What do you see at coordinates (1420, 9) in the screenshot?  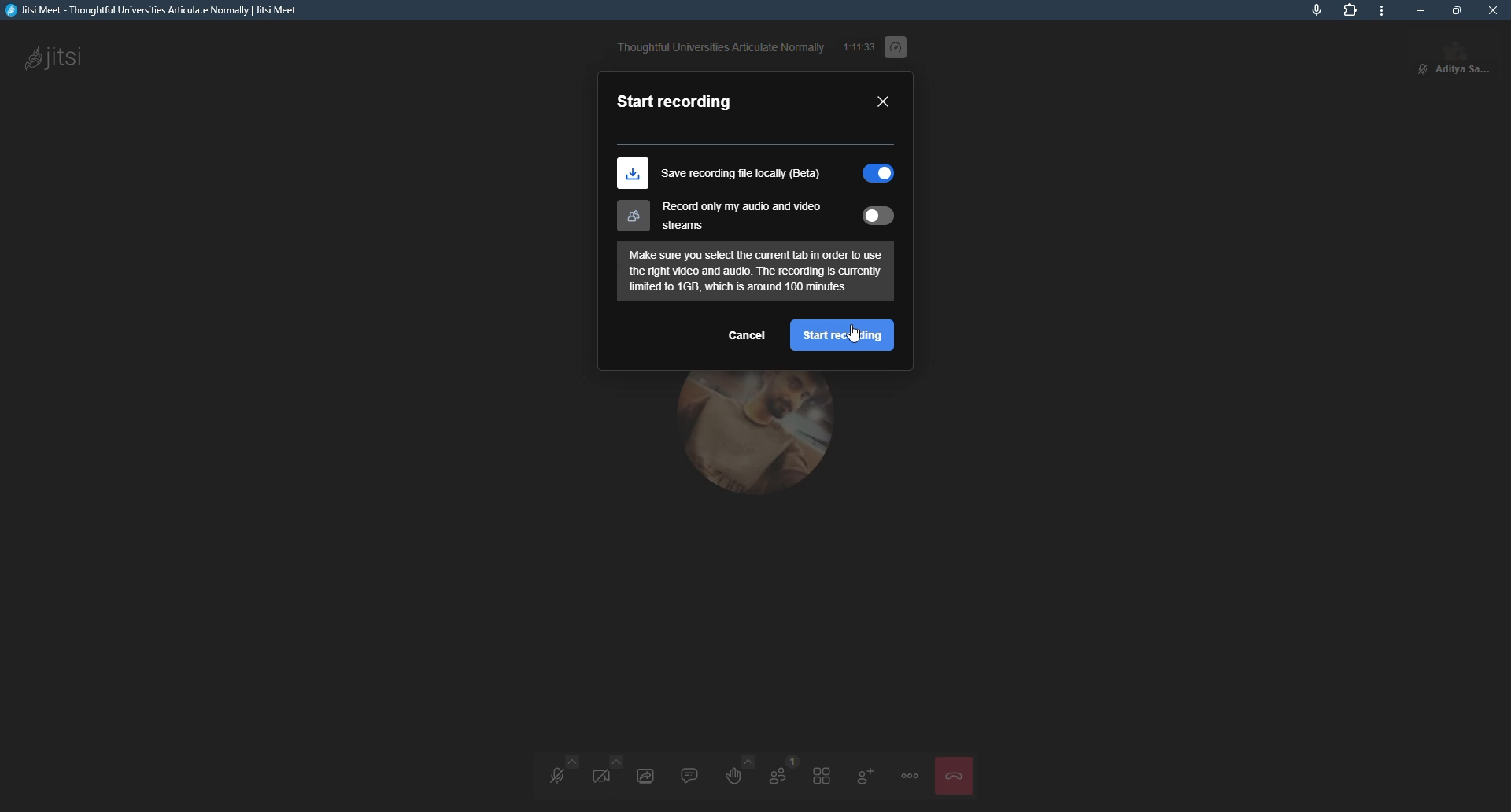 I see `minimize` at bounding box center [1420, 9].